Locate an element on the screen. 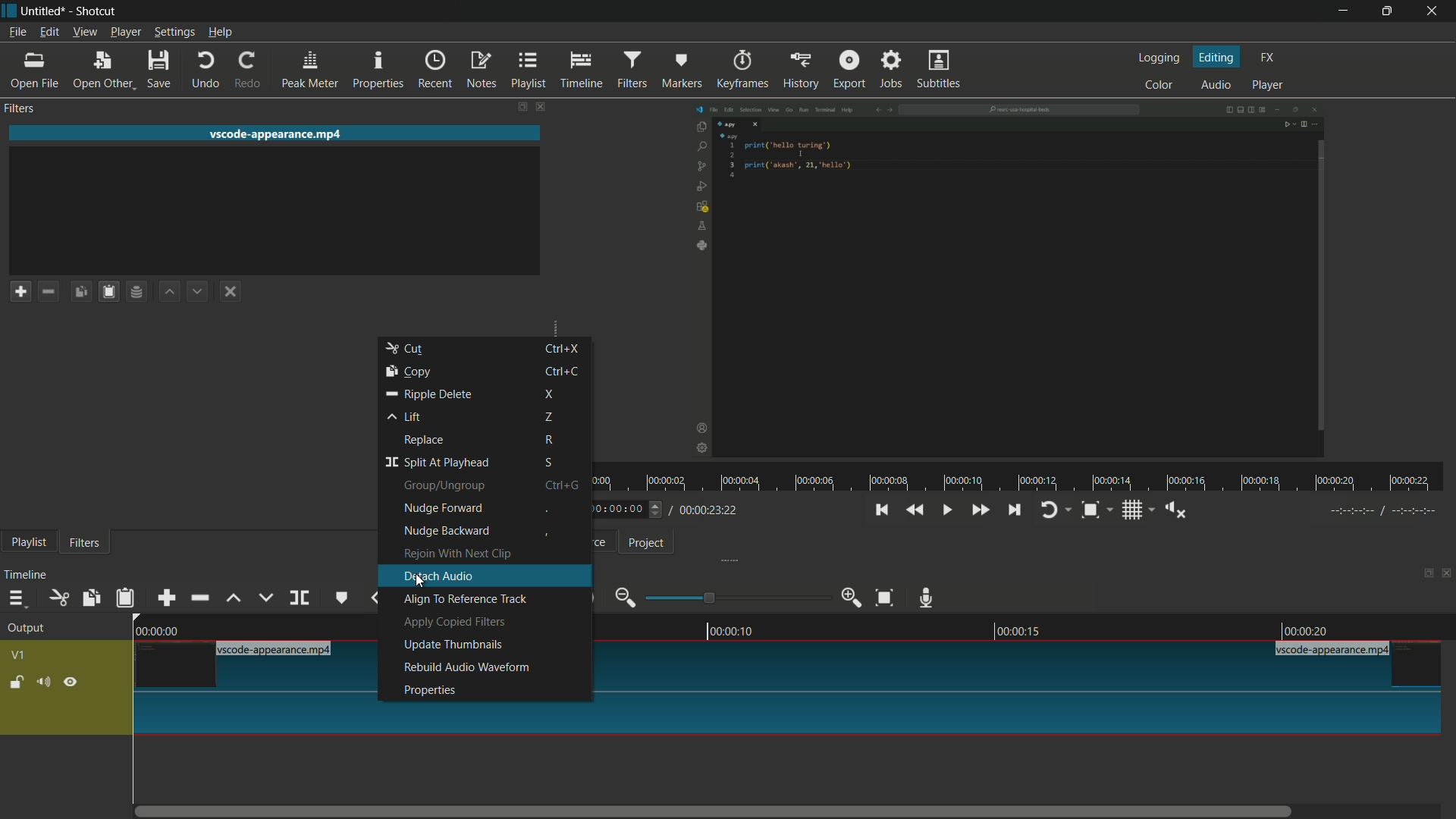 This screenshot has width=1456, height=819. show volume control is located at coordinates (1172, 511).